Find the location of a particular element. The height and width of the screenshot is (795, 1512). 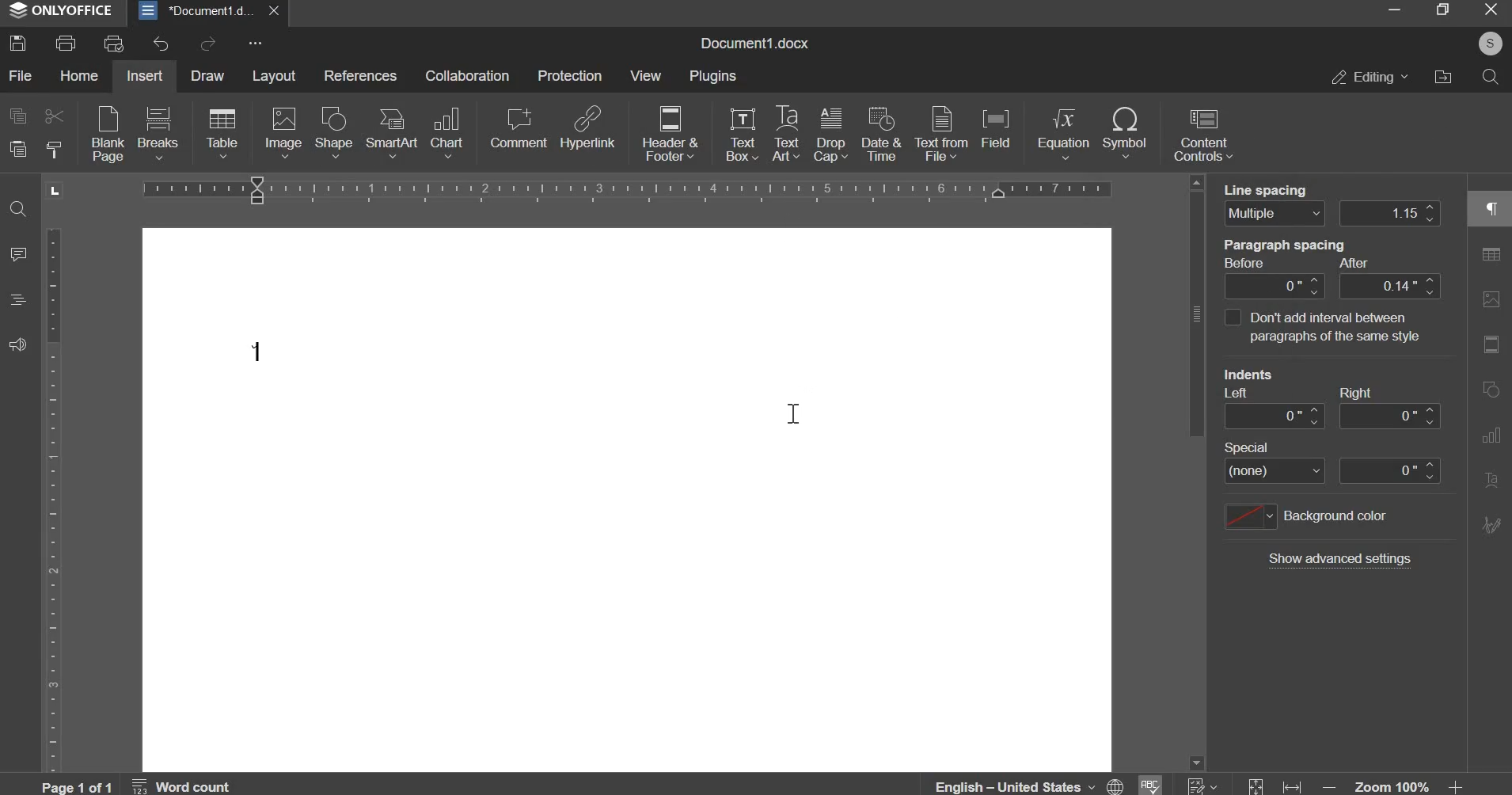

line spacing is located at coordinates (1274, 214).